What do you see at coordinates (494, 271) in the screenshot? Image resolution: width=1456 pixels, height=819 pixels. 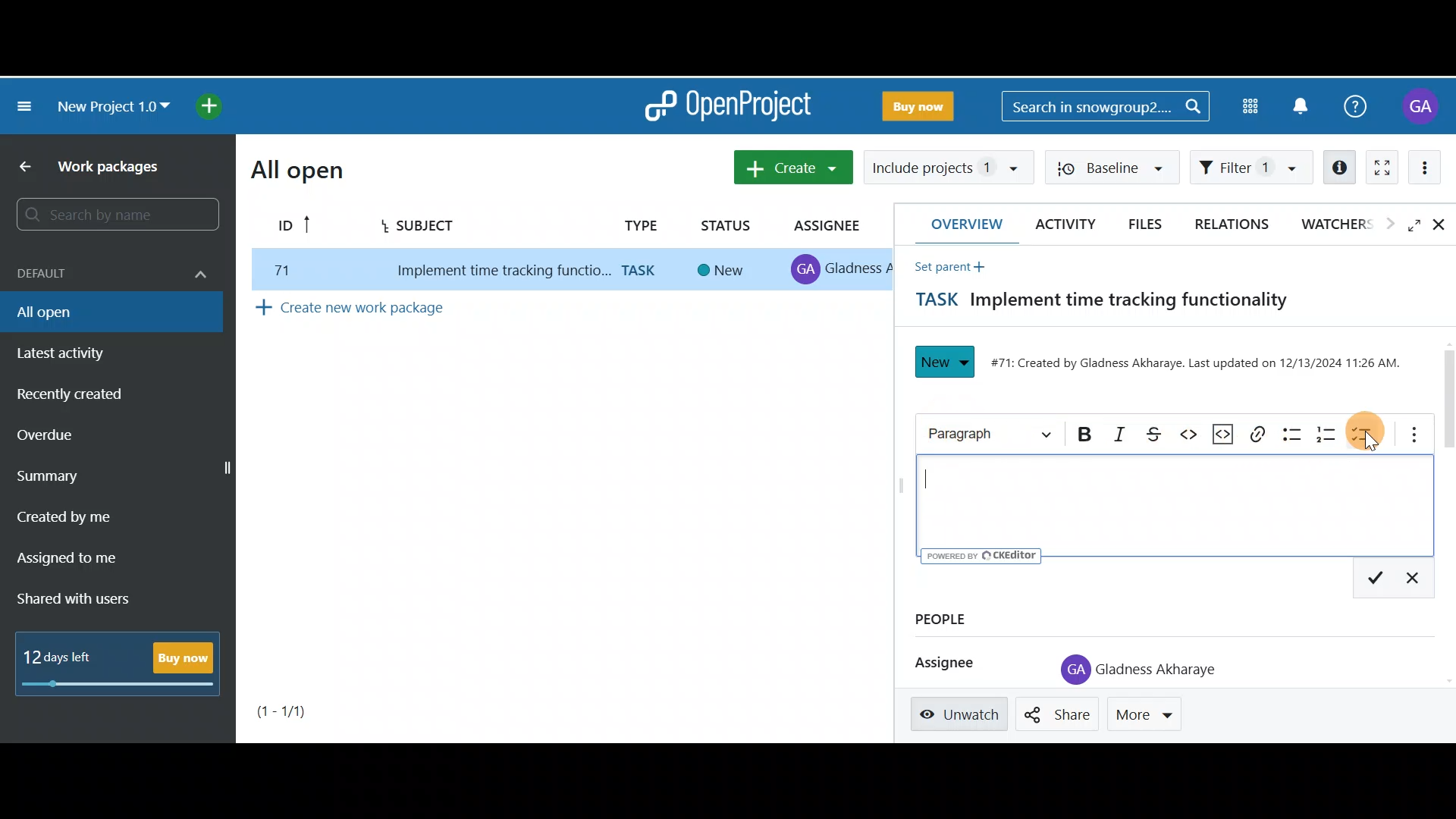 I see `implement time tracking function..` at bounding box center [494, 271].